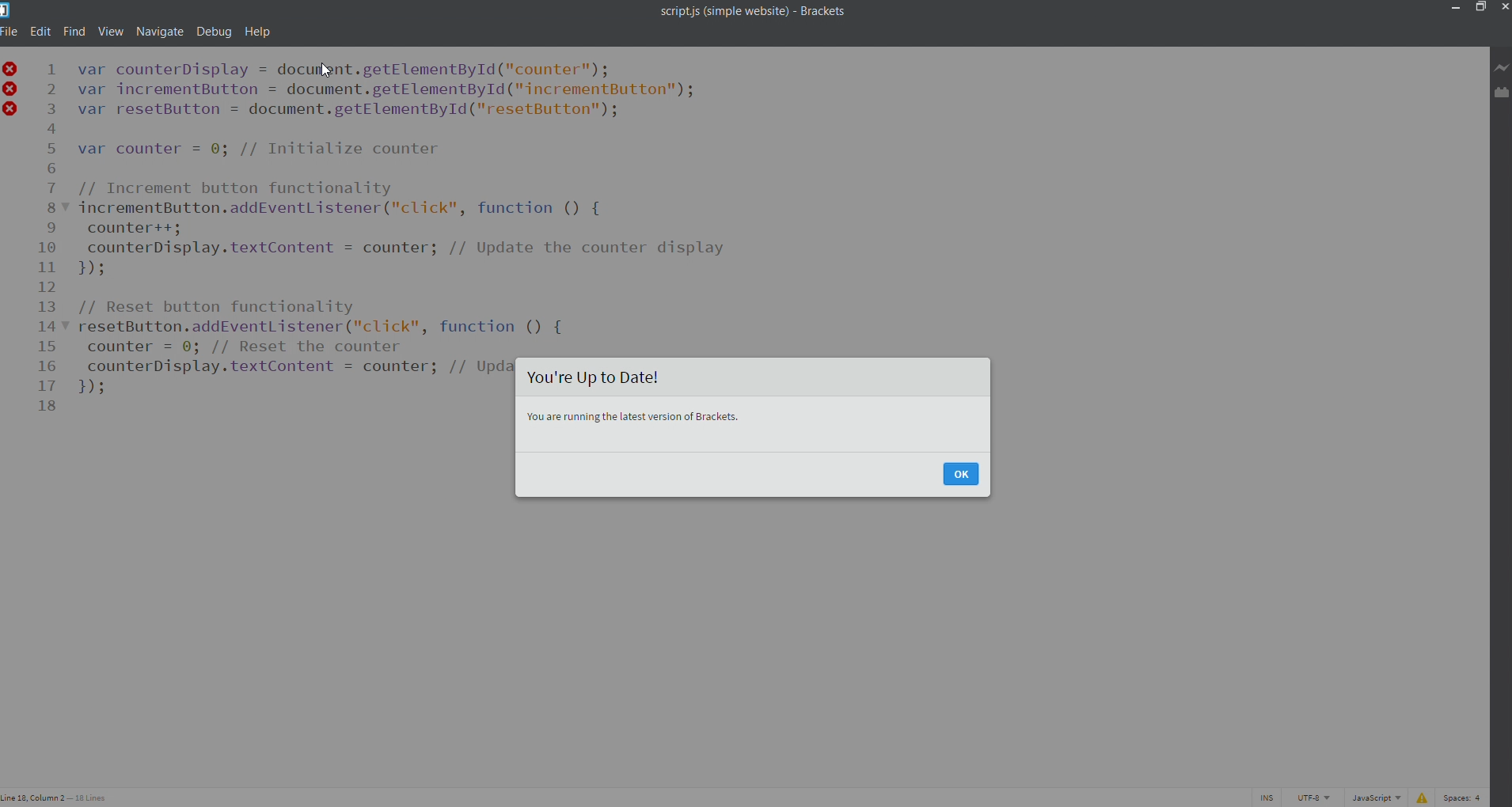 This screenshot has height=807, width=1512. What do you see at coordinates (1268, 798) in the screenshot?
I see `toggle cursor` at bounding box center [1268, 798].